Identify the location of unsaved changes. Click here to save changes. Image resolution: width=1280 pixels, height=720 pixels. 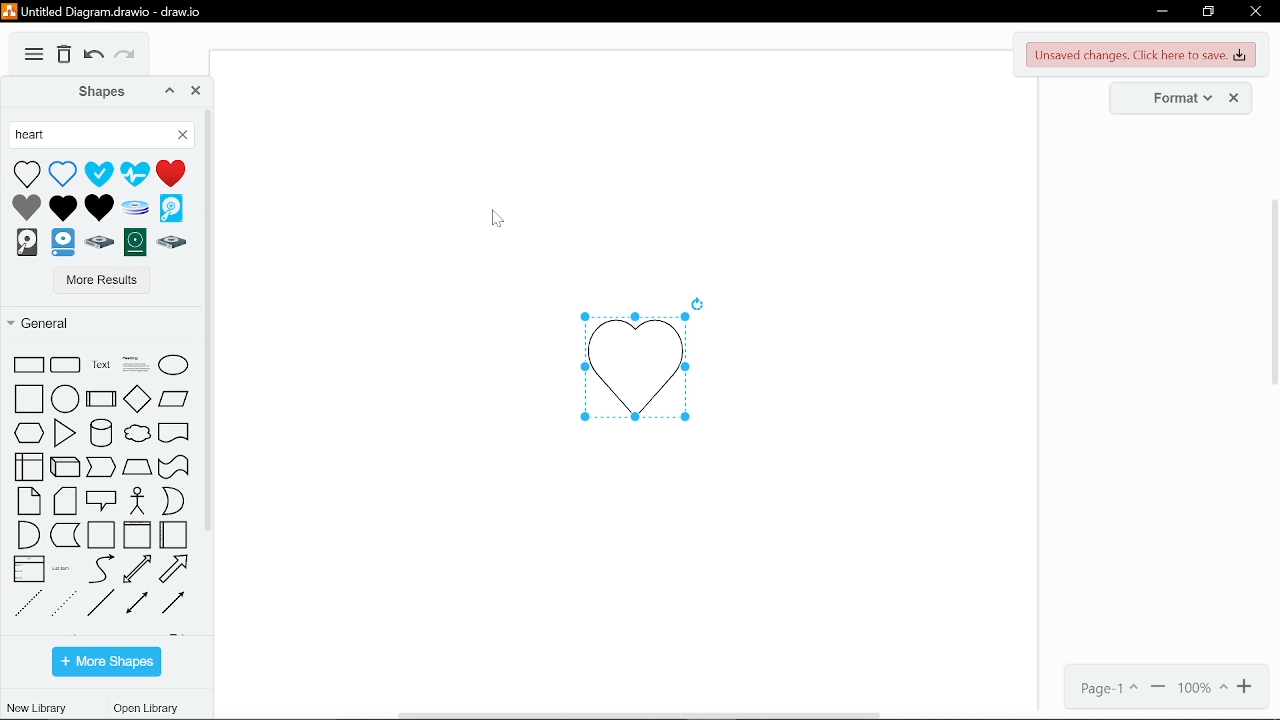
(1143, 55).